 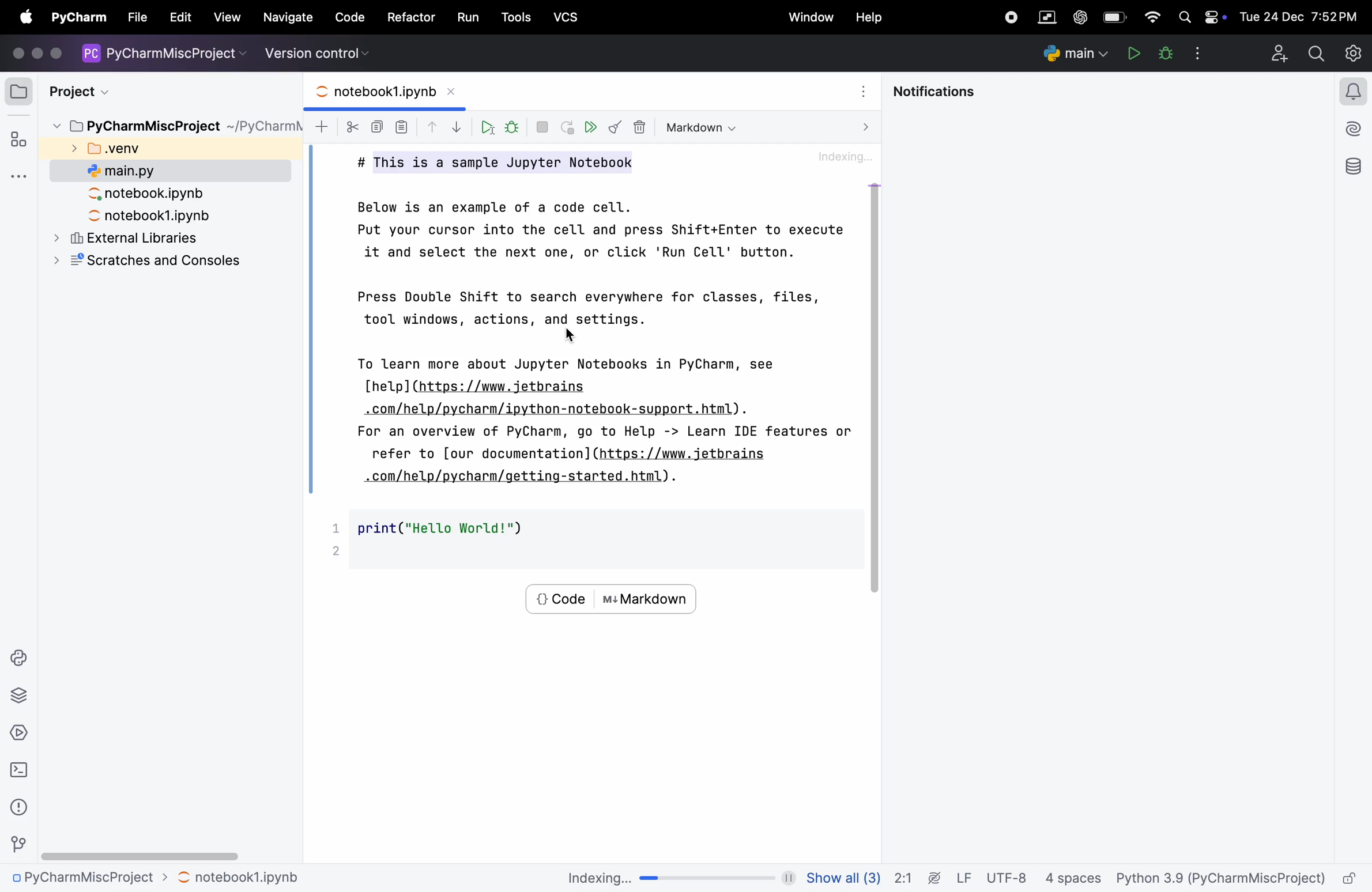 I want to click on file, so click(x=133, y=18).